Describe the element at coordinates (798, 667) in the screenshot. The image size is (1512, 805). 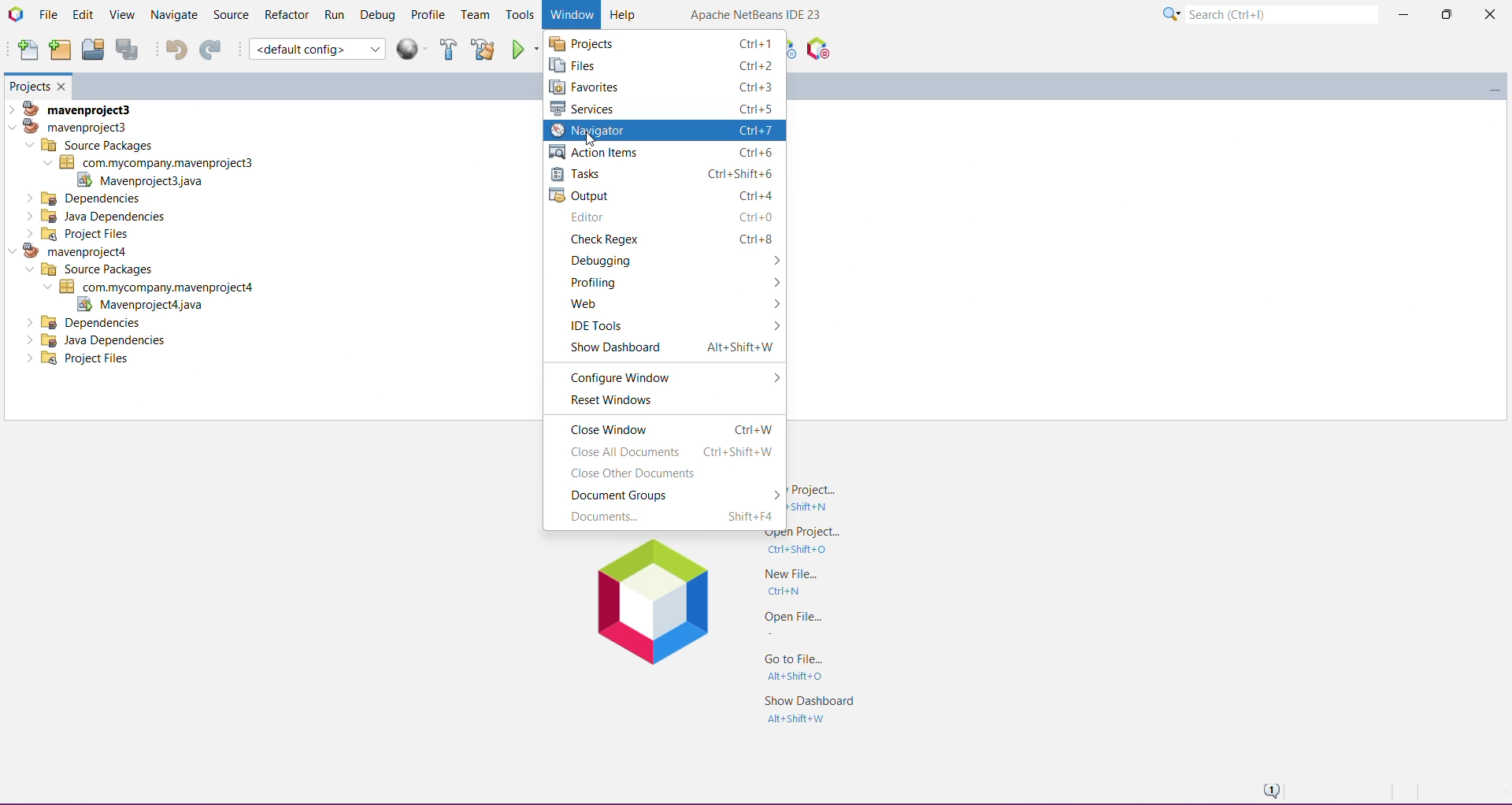
I see `Go to Files...` at that location.